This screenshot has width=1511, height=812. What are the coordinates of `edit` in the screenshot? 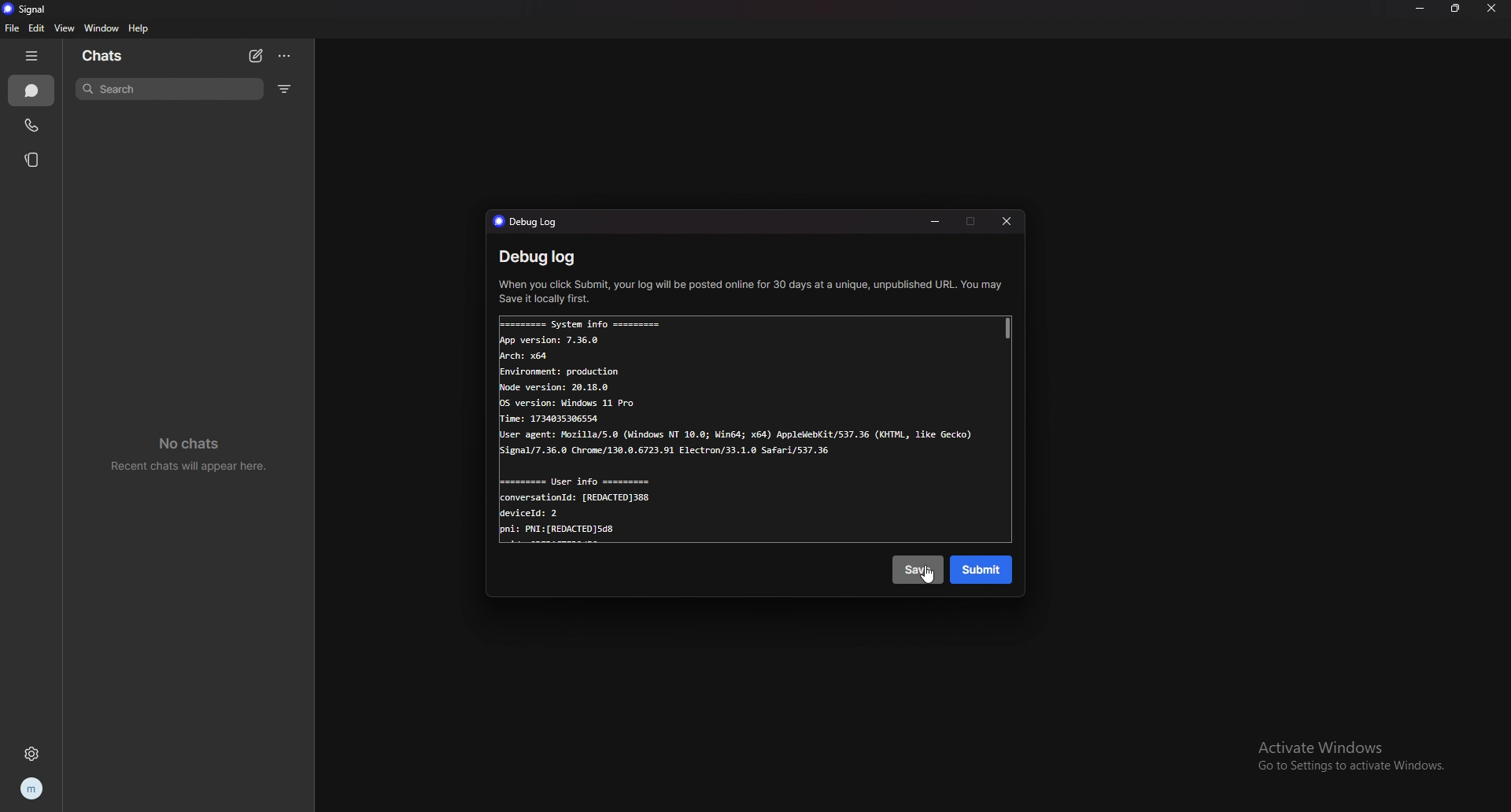 It's located at (36, 28).